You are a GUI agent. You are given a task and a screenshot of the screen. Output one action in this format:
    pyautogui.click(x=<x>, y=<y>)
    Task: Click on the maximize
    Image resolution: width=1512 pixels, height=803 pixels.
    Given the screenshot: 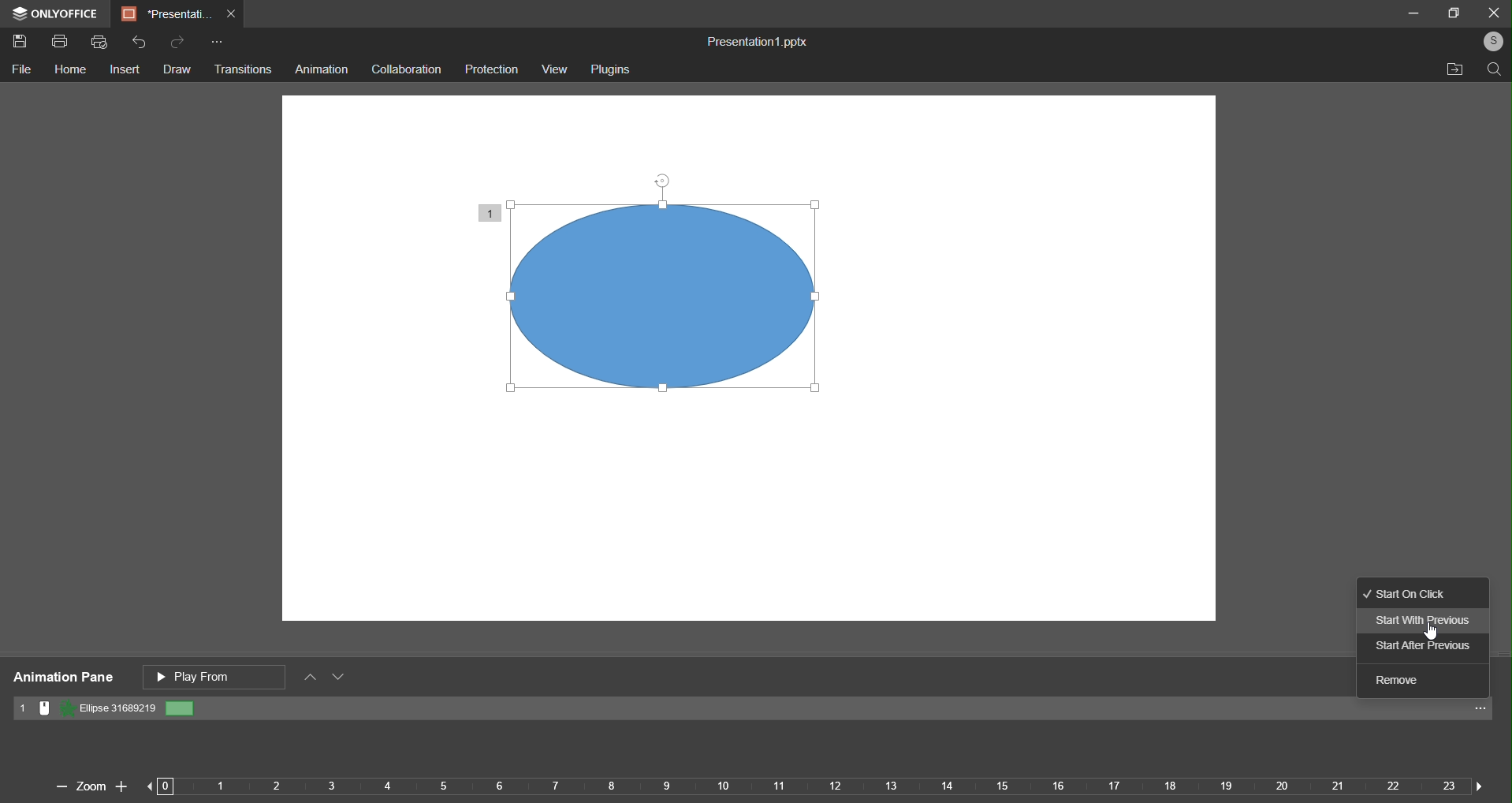 What is the action you would take?
    pyautogui.click(x=1456, y=13)
    